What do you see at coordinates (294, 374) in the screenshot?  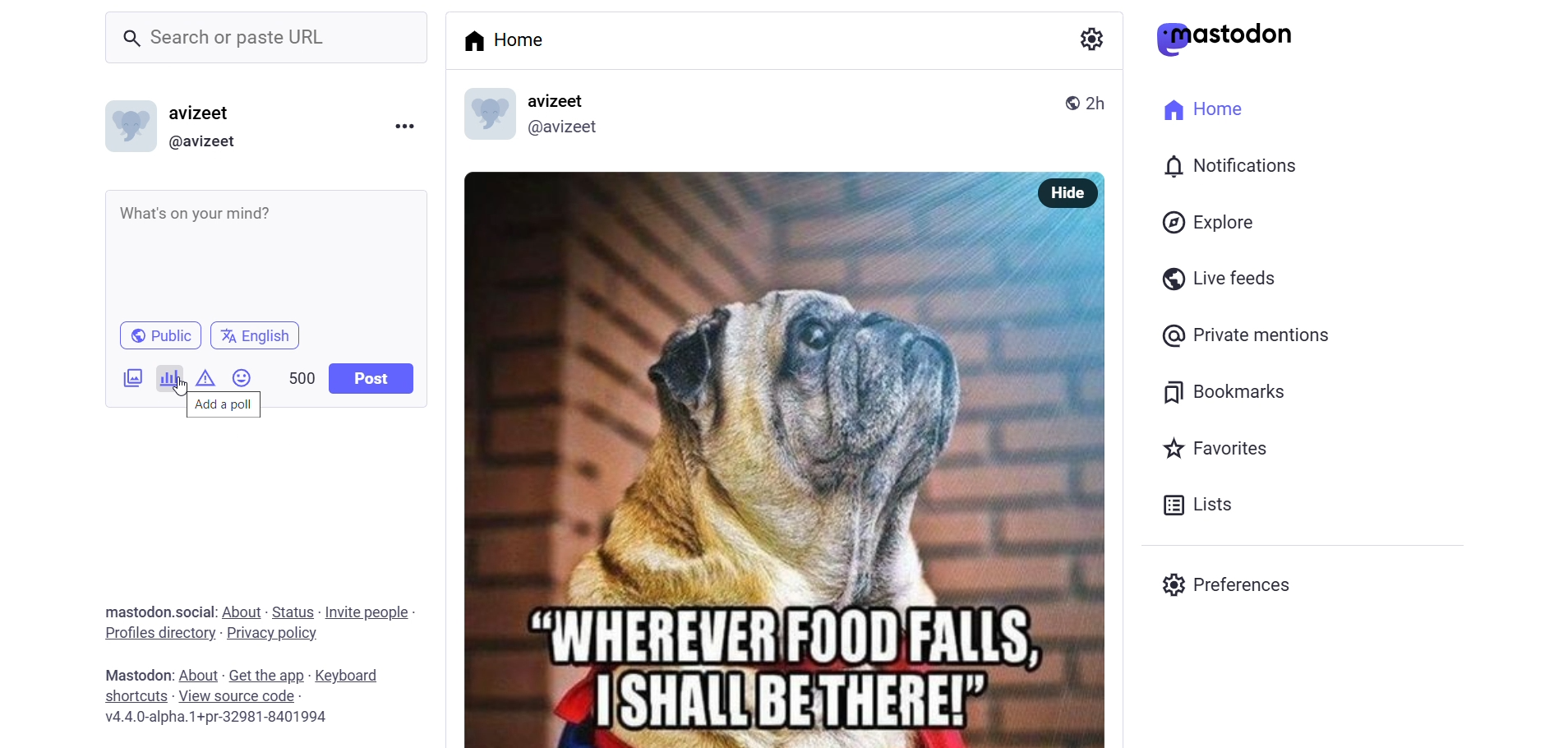 I see `500` at bounding box center [294, 374].